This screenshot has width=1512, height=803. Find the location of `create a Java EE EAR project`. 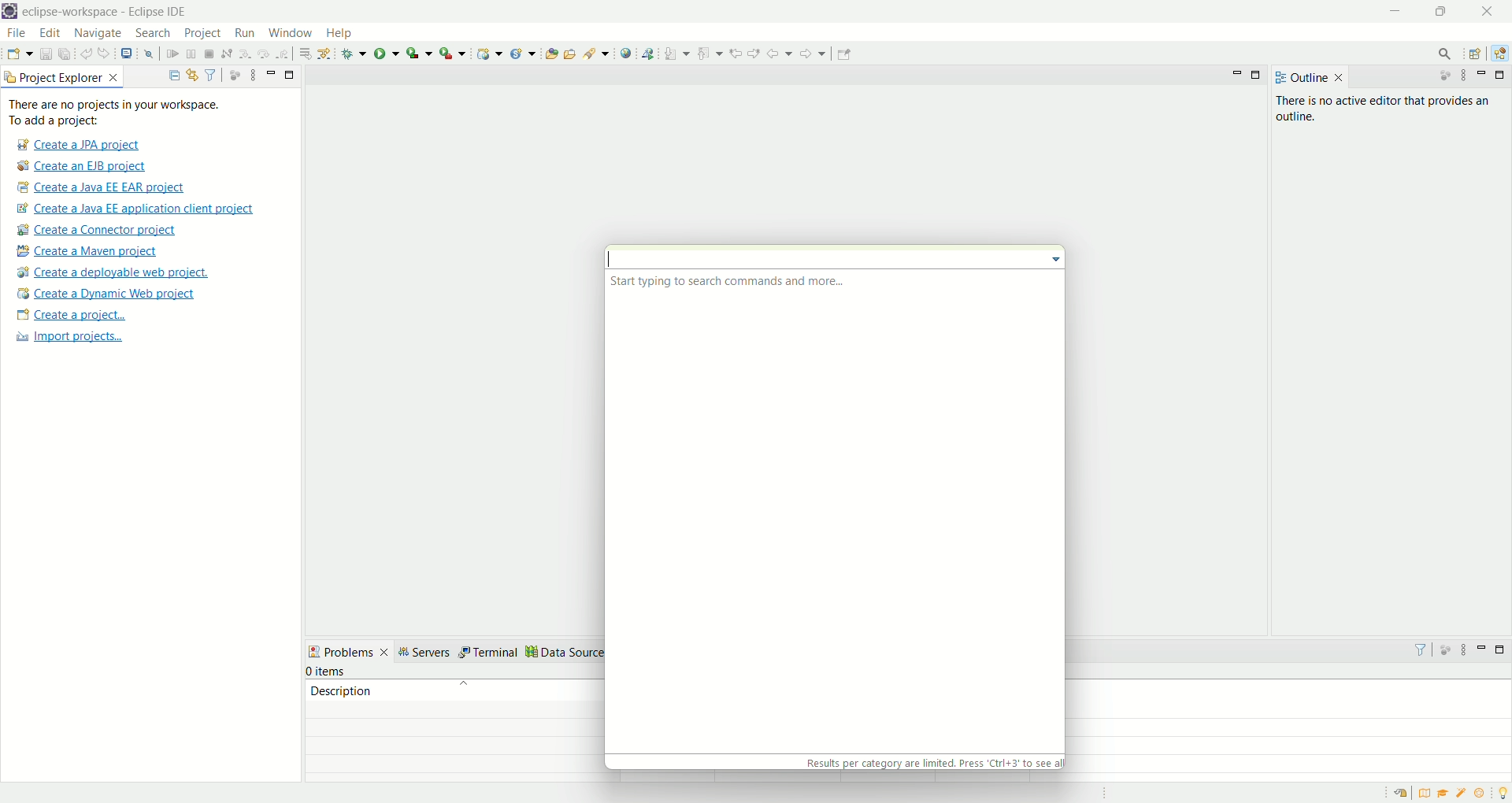

create a Java EE EAR project is located at coordinates (105, 189).